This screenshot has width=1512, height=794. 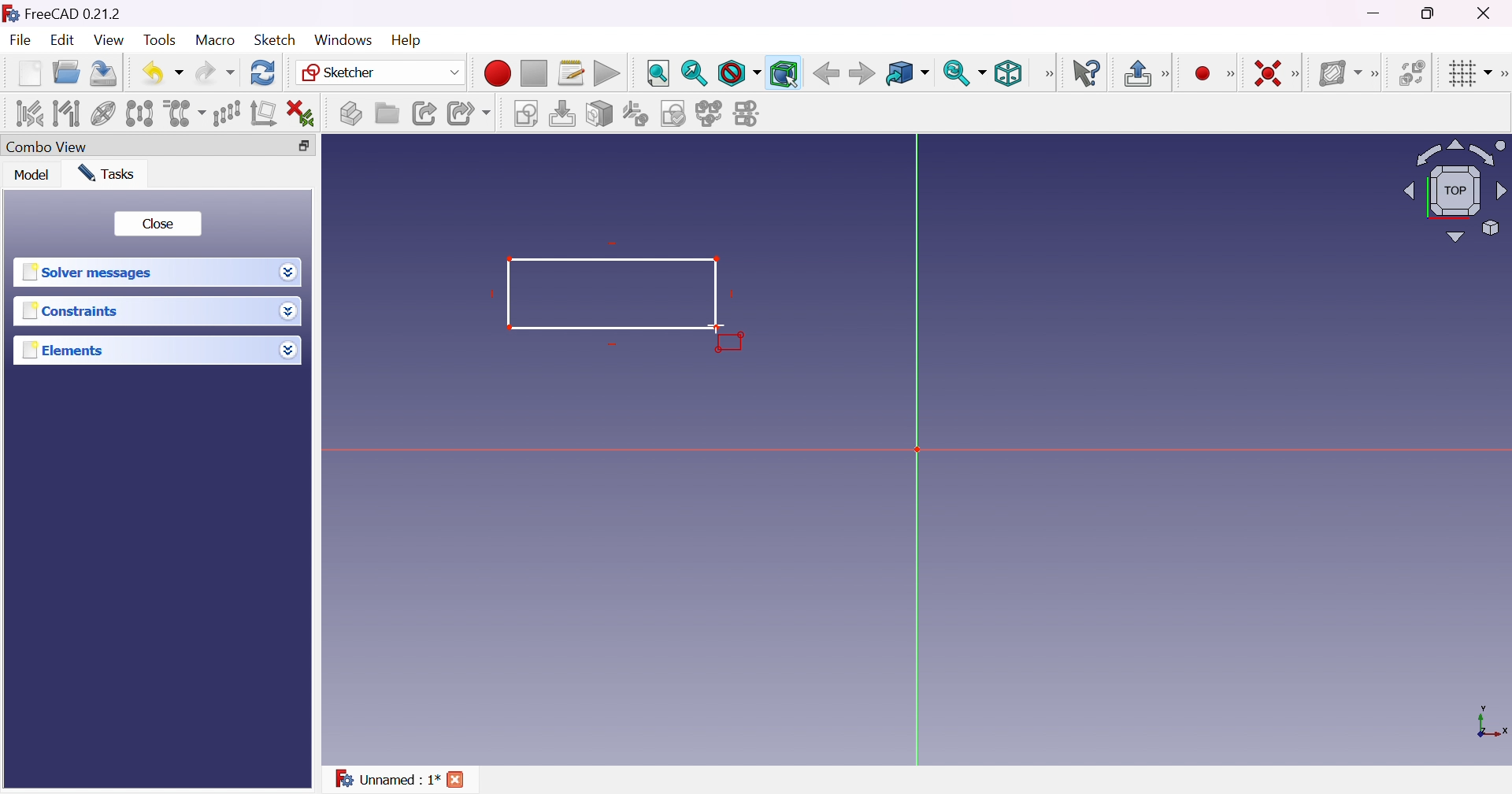 What do you see at coordinates (163, 76) in the screenshot?
I see `Undo` at bounding box center [163, 76].